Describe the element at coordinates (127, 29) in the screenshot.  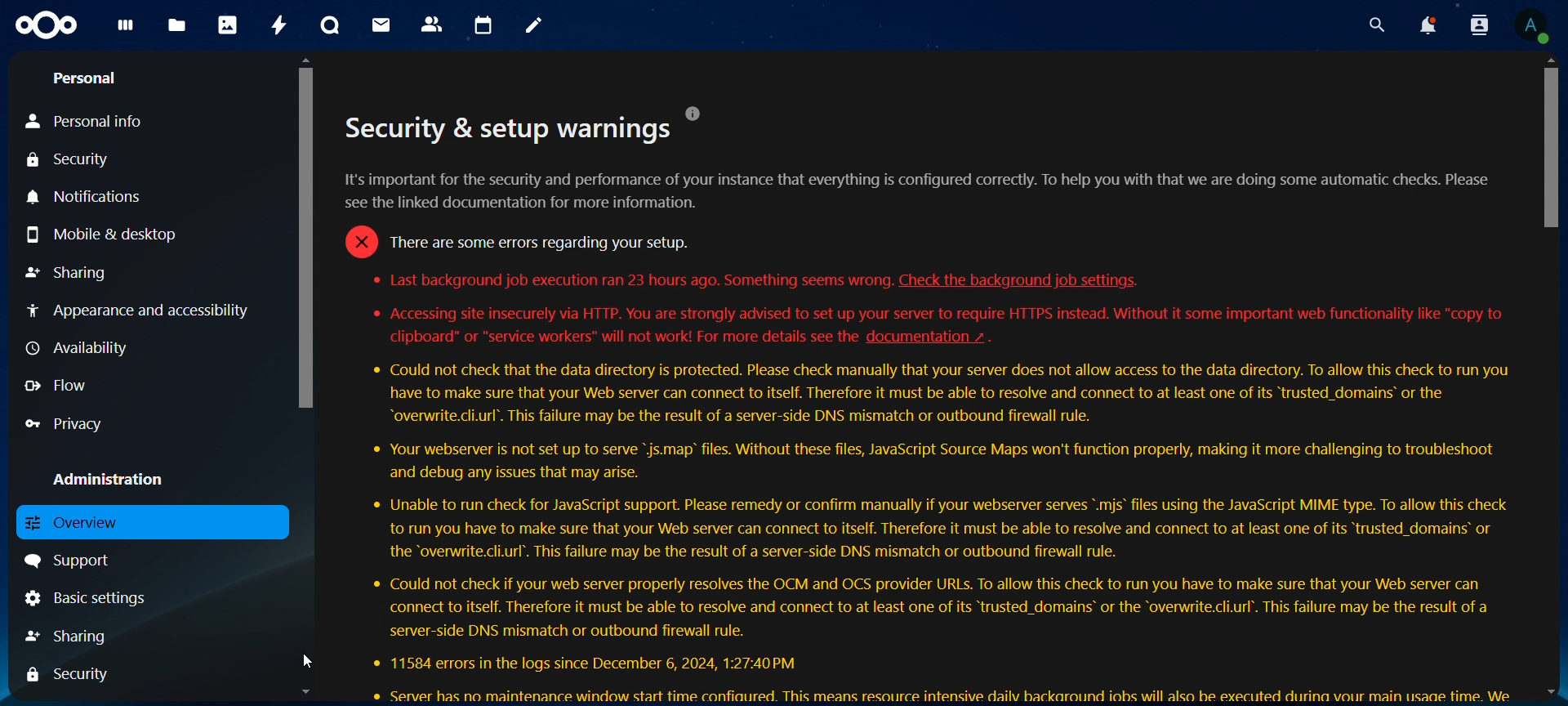
I see `dashboard` at that location.